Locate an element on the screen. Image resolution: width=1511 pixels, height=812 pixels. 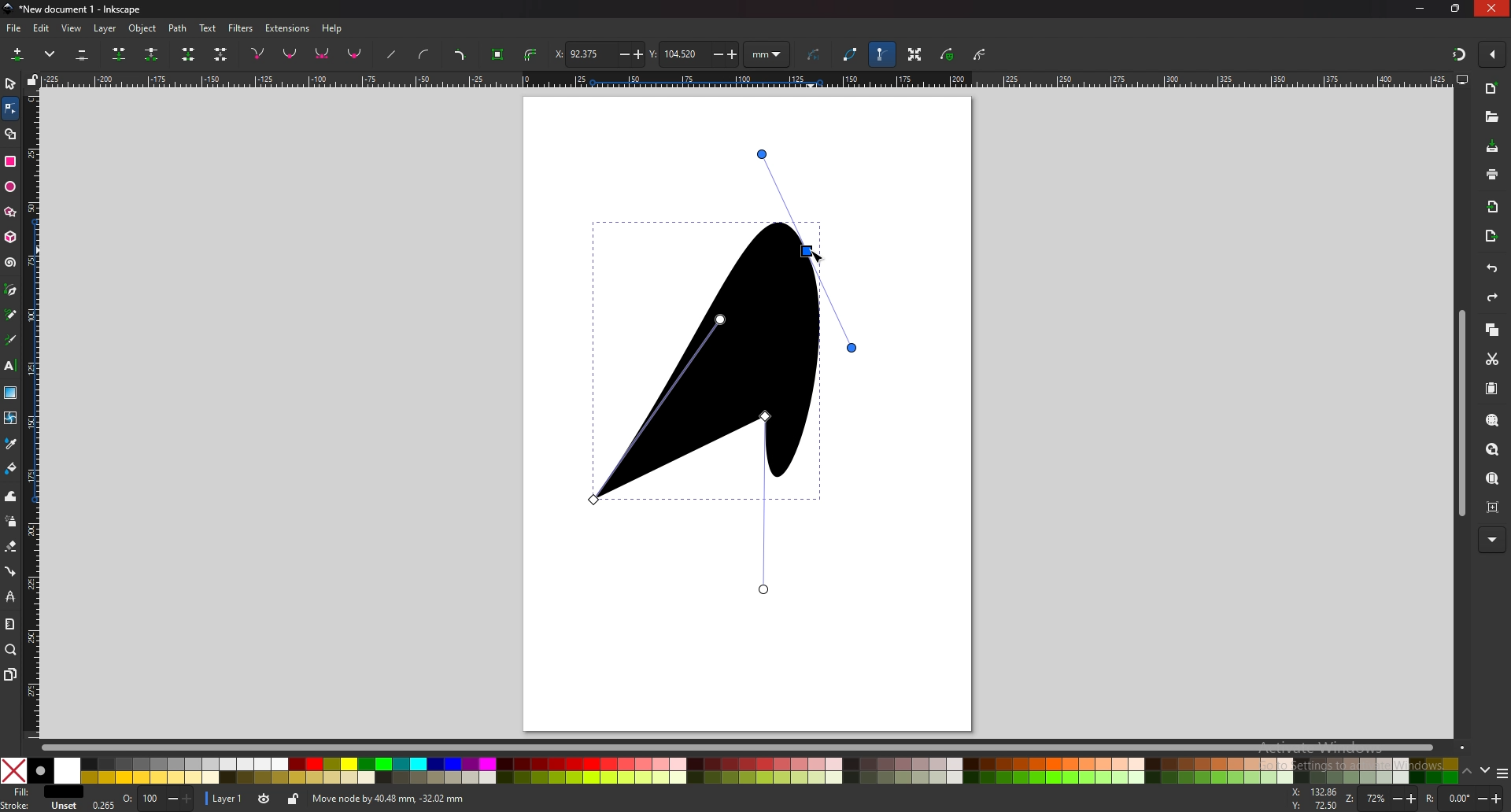
straighten lines is located at coordinates (393, 54).